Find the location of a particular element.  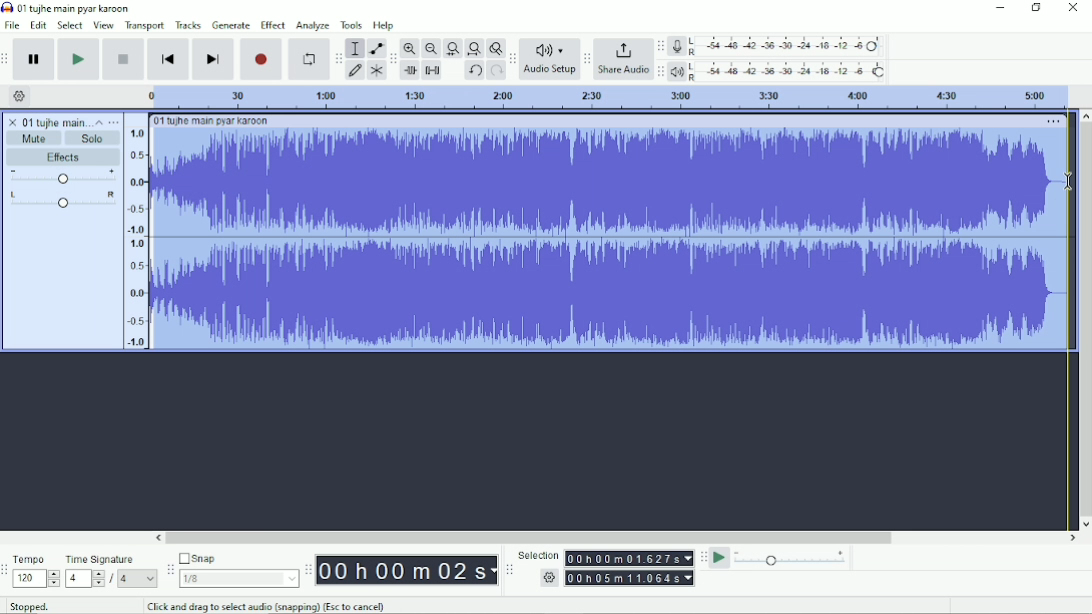

01 tujhy main pyar kroon is located at coordinates (211, 121).